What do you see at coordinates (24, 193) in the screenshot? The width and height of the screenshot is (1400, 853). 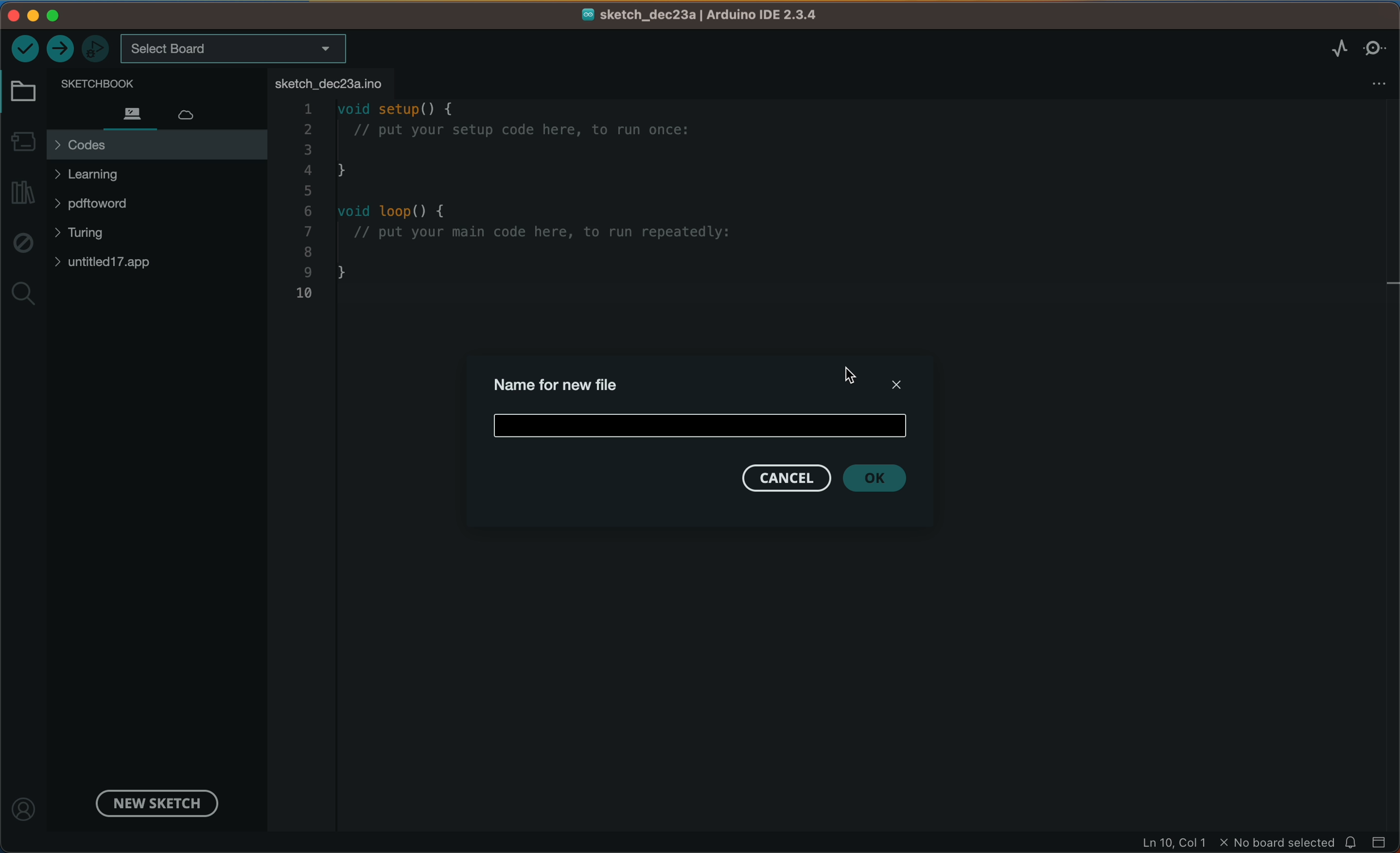 I see `library manager` at bounding box center [24, 193].